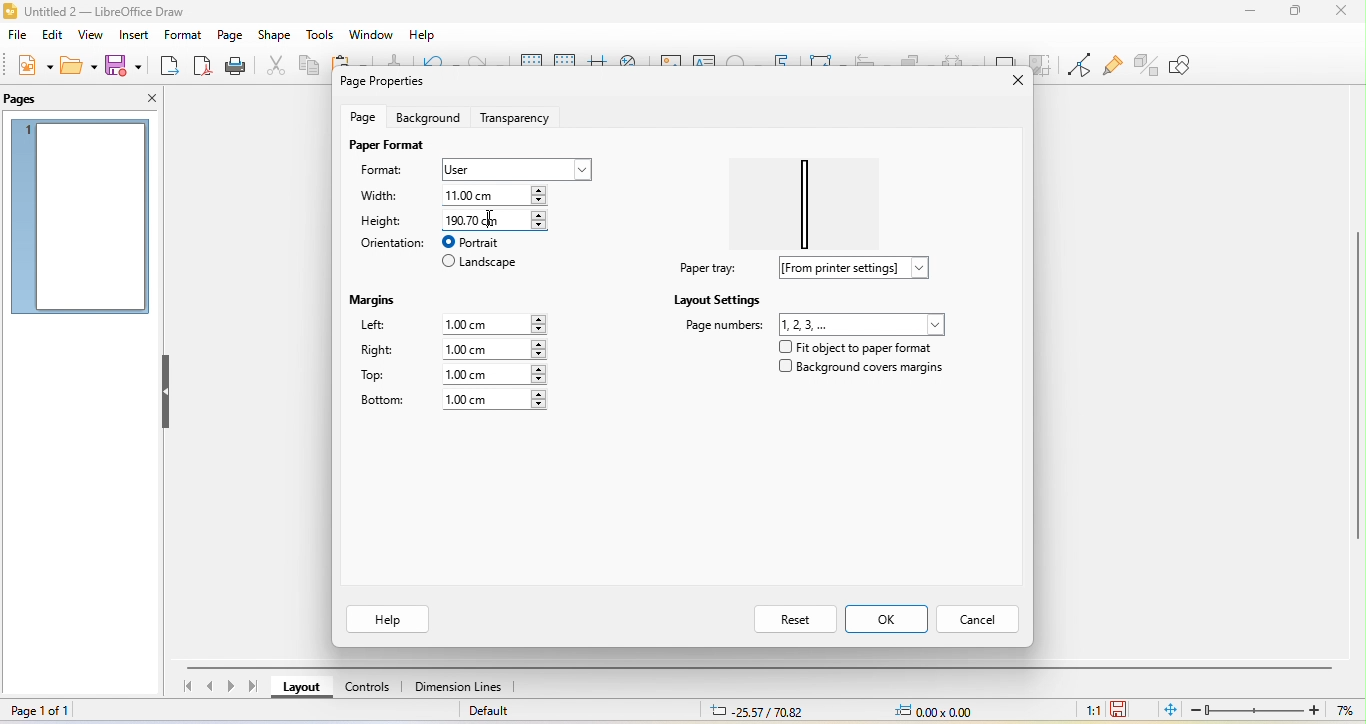 The width and height of the screenshot is (1366, 724). I want to click on page, so click(229, 35).